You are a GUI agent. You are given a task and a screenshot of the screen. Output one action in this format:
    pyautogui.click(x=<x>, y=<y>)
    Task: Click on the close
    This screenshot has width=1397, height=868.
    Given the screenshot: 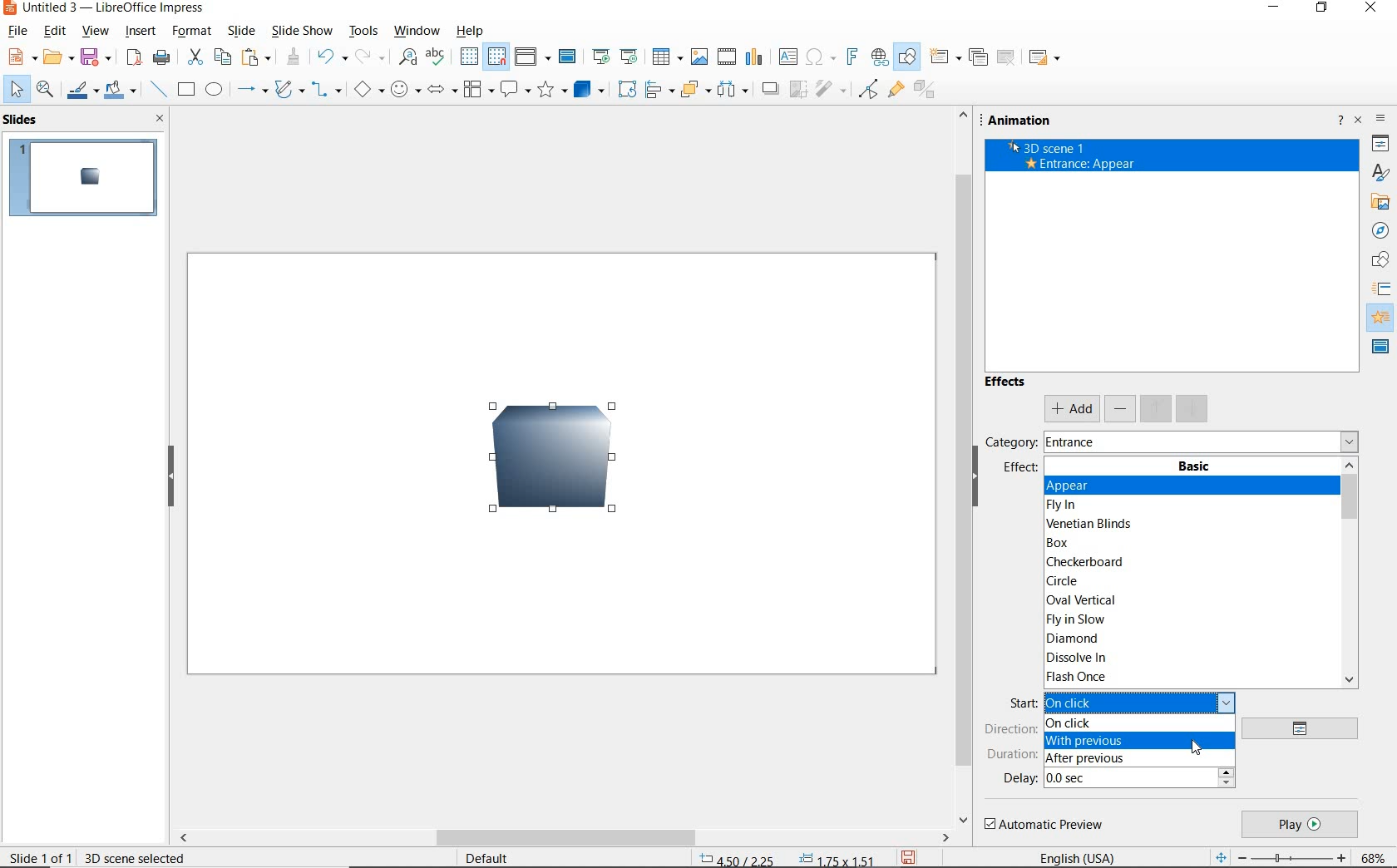 What is the action you would take?
    pyautogui.click(x=1360, y=119)
    